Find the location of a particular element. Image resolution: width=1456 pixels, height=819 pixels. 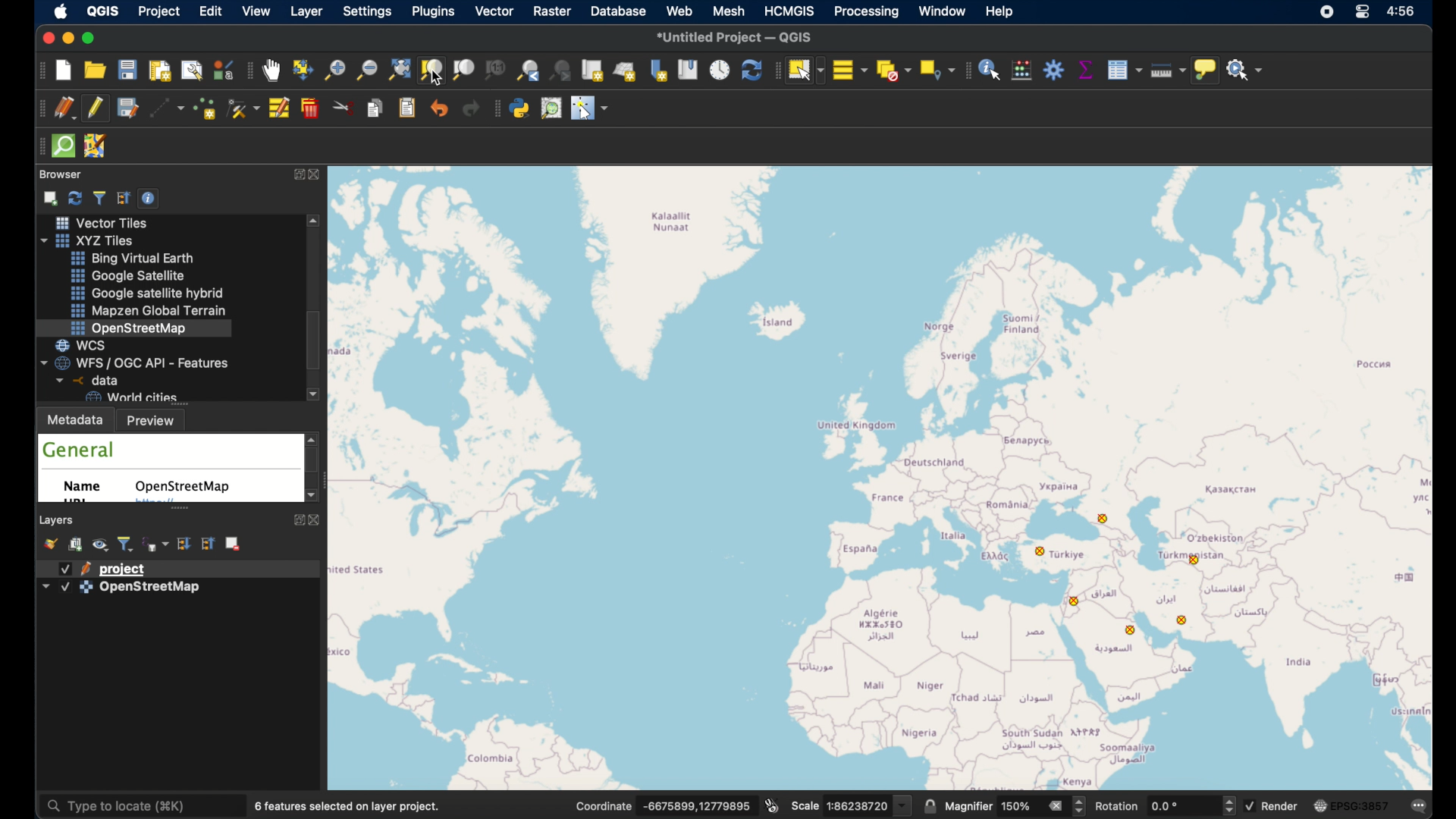

google satellite is located at coordinates (128, 276).